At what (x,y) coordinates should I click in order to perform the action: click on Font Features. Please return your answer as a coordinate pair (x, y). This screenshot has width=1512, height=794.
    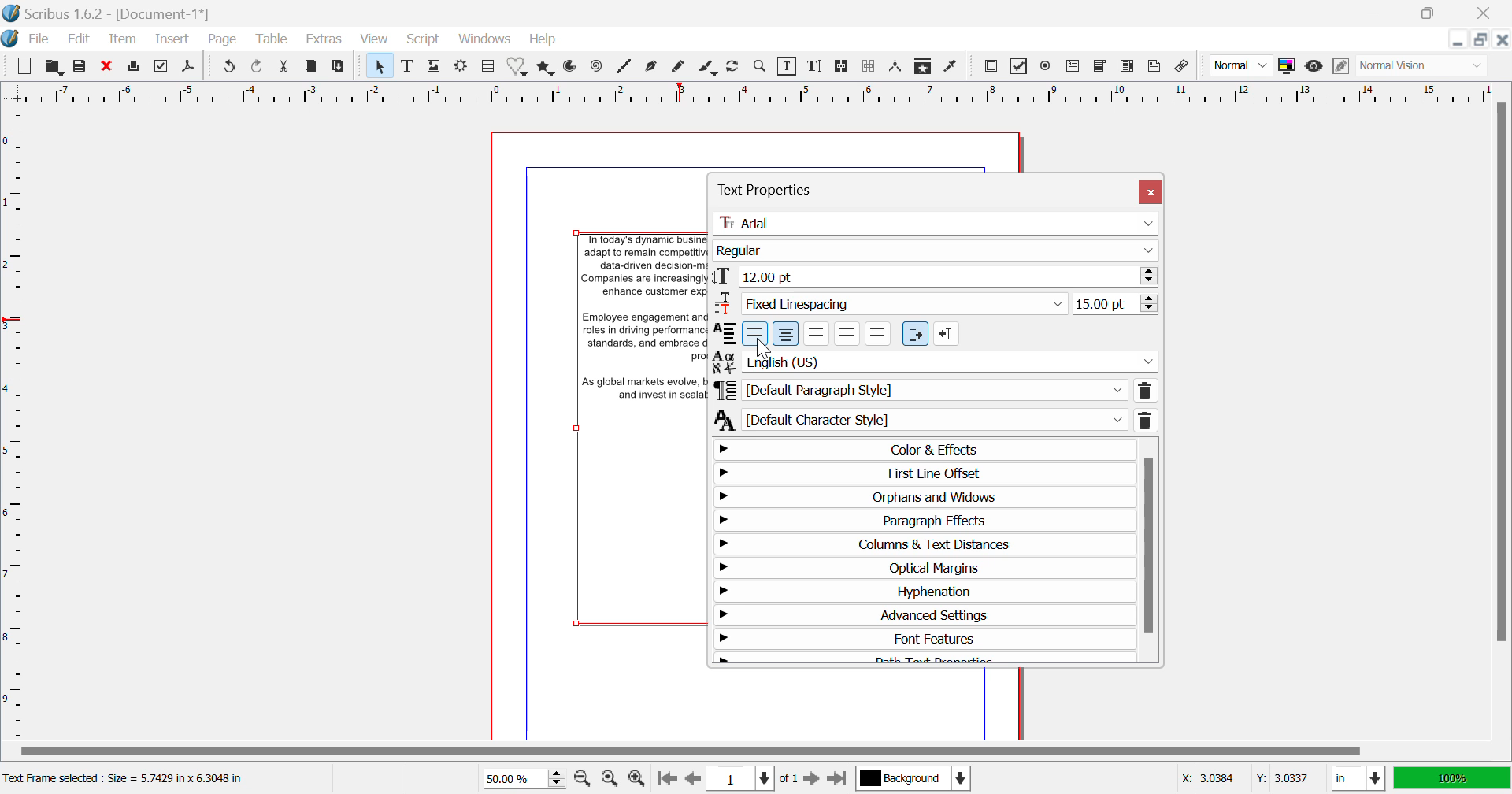
    Looking at the image, I should click on (921, 637).